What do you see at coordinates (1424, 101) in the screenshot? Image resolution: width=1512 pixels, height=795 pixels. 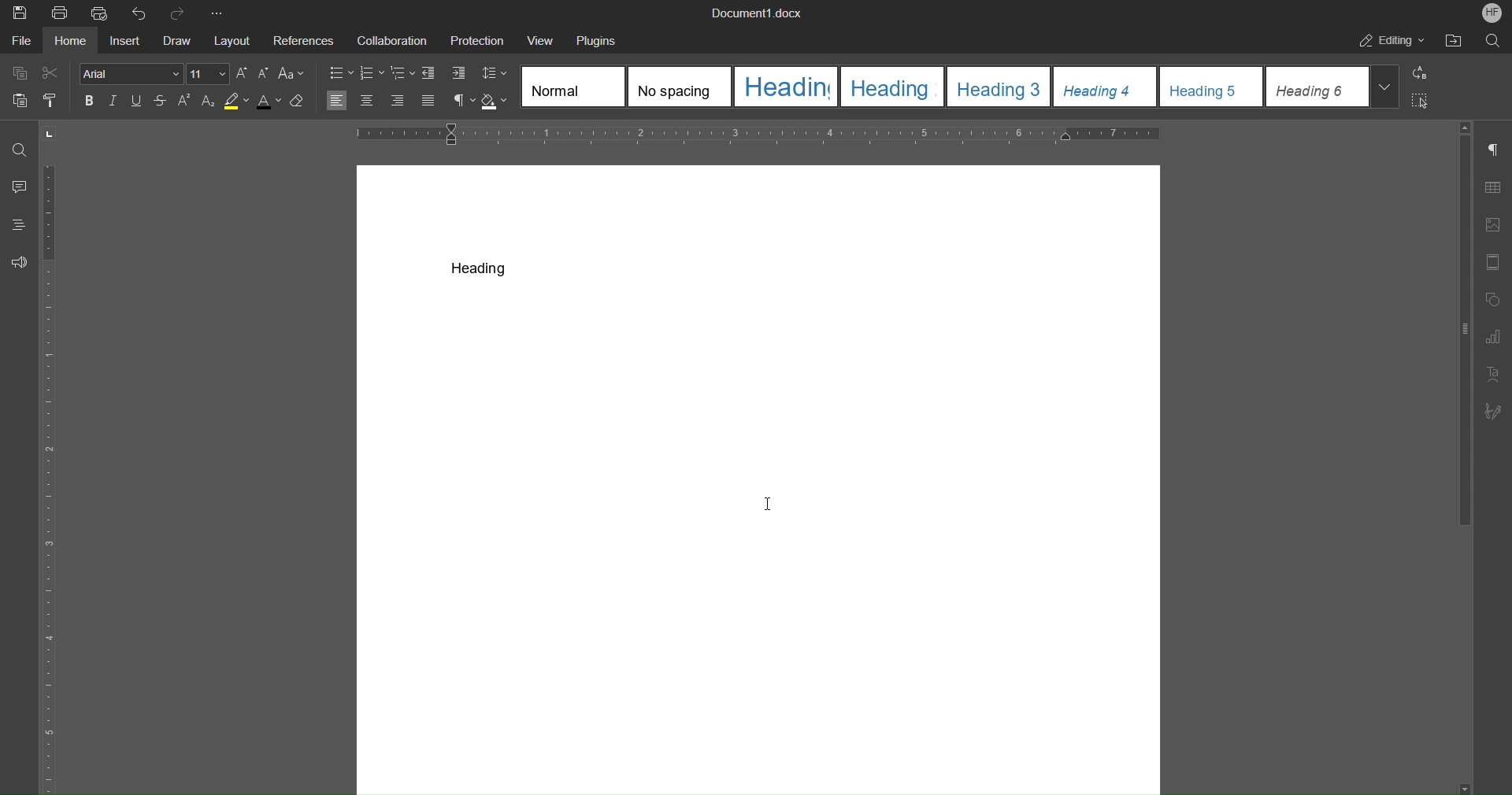 I see `Select All` at bounding box center [1424, 101].